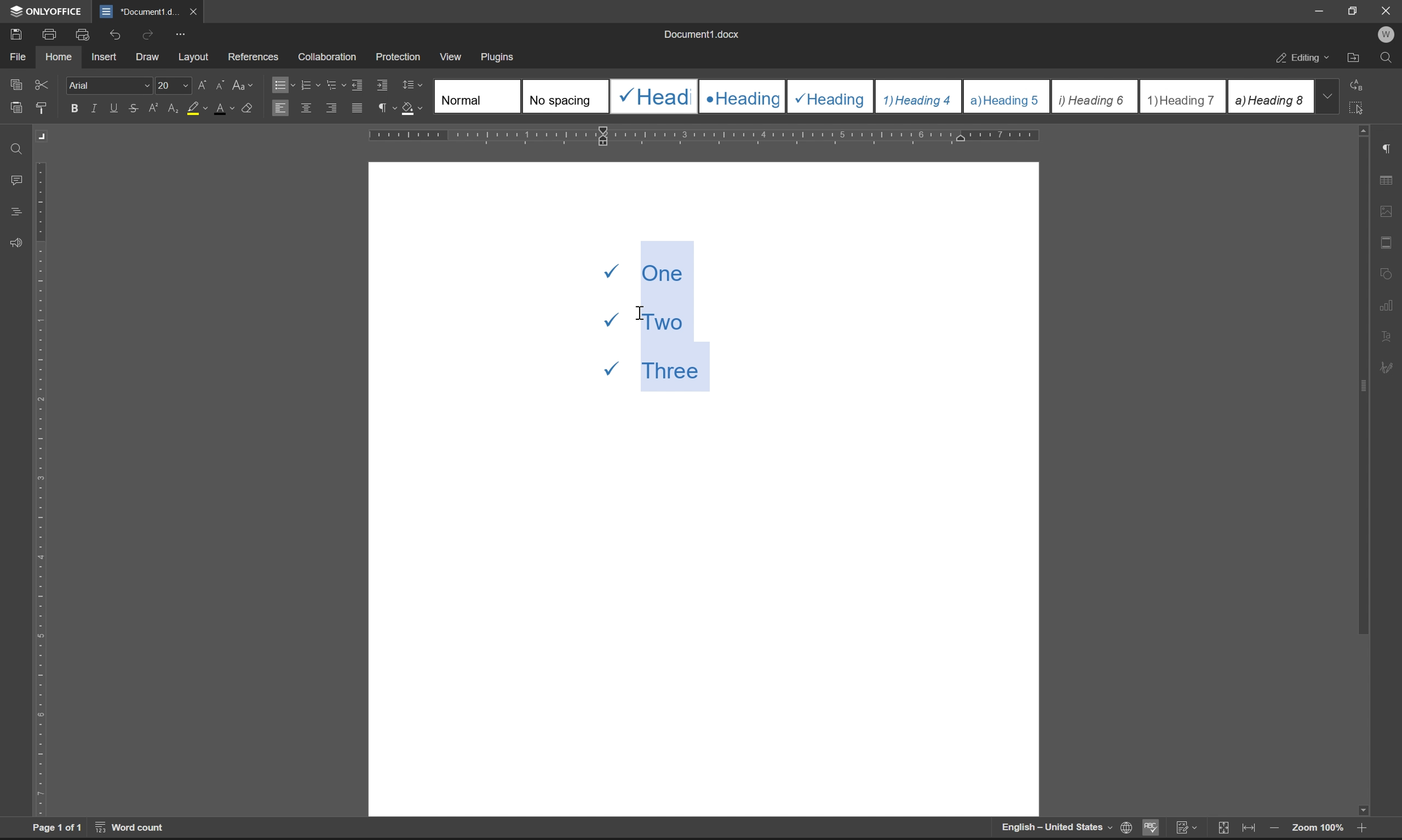 The image size is (1402, 840). Describe the element at coordinates (43, 84) in the screenshot. I see `cut` at that location.